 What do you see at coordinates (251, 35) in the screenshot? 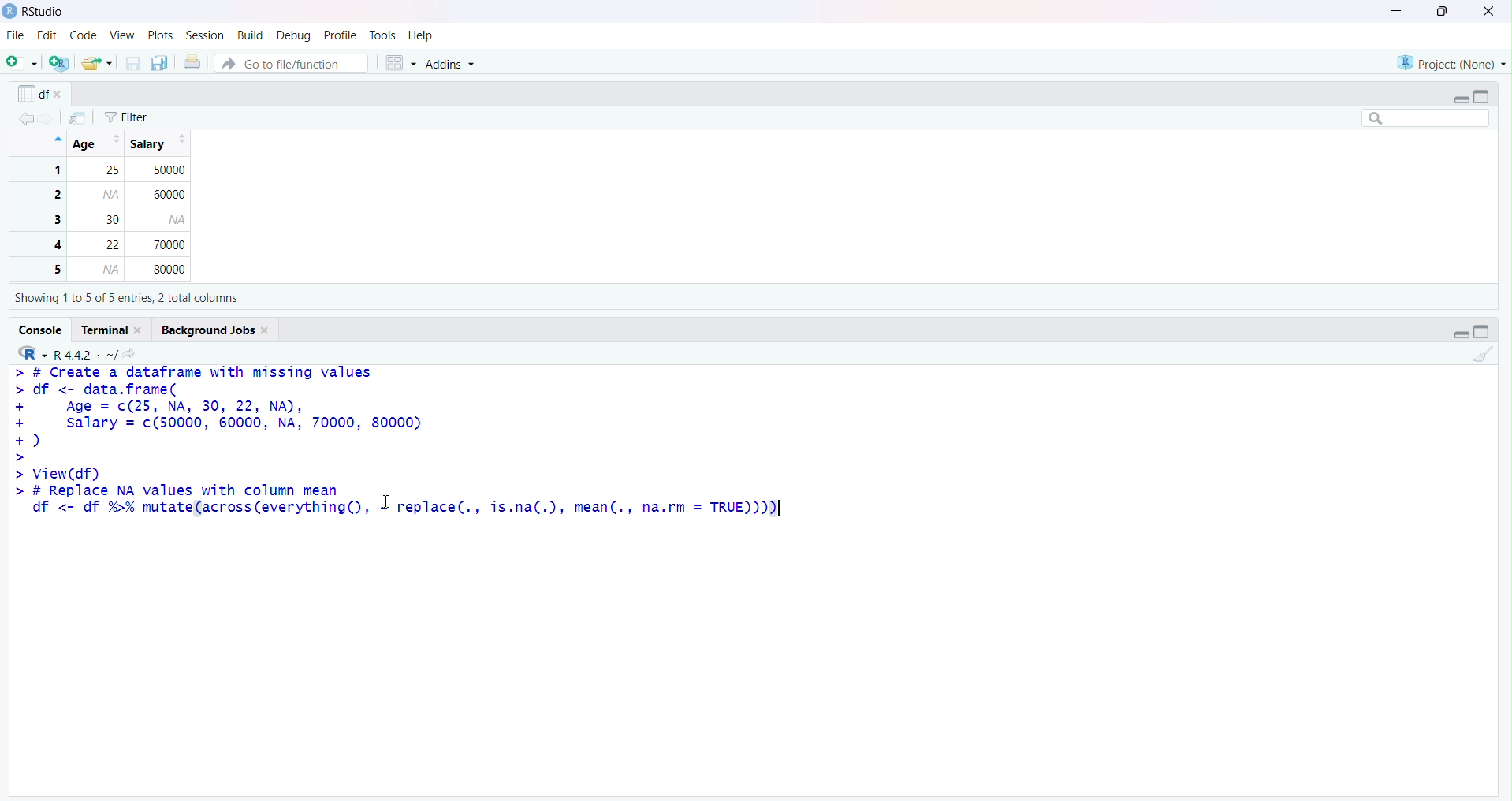
I see `Build` at bounding box center [251, 35].